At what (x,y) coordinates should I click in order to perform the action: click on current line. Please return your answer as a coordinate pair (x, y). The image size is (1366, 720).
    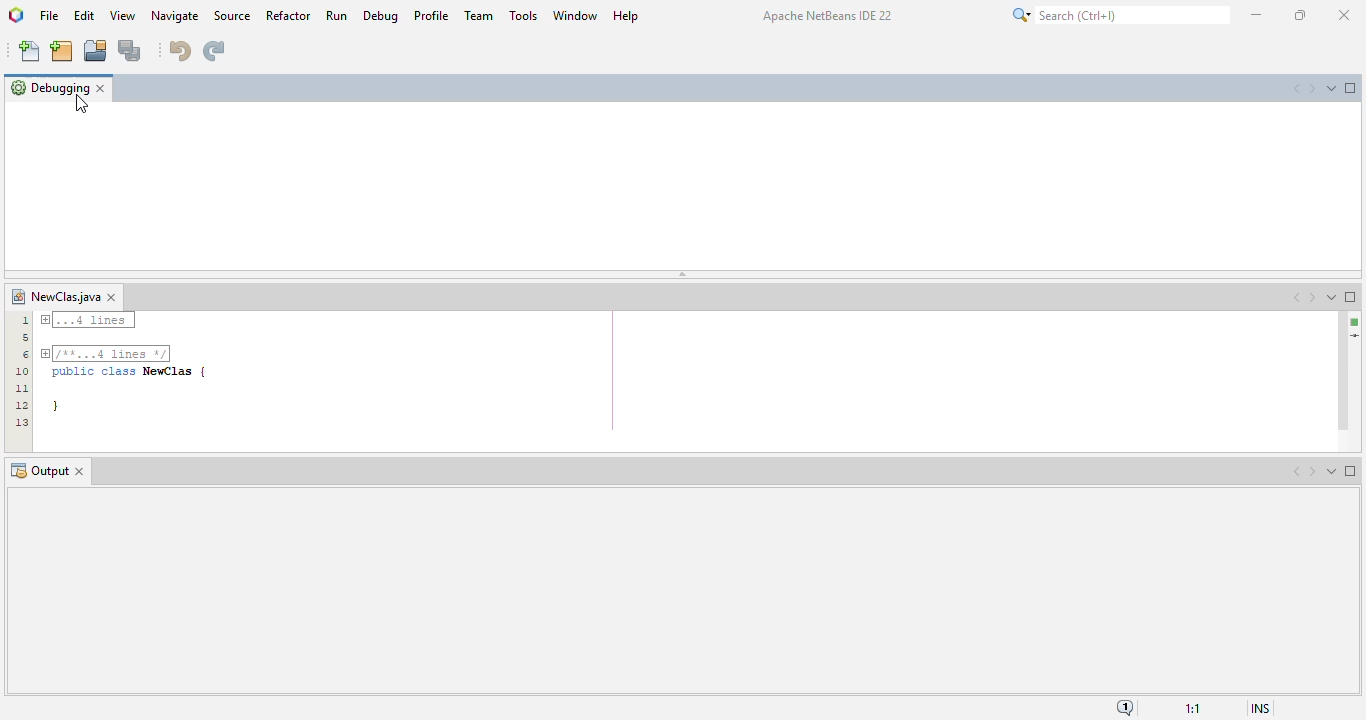
    Looking at the image, I should click on (1353, 337).